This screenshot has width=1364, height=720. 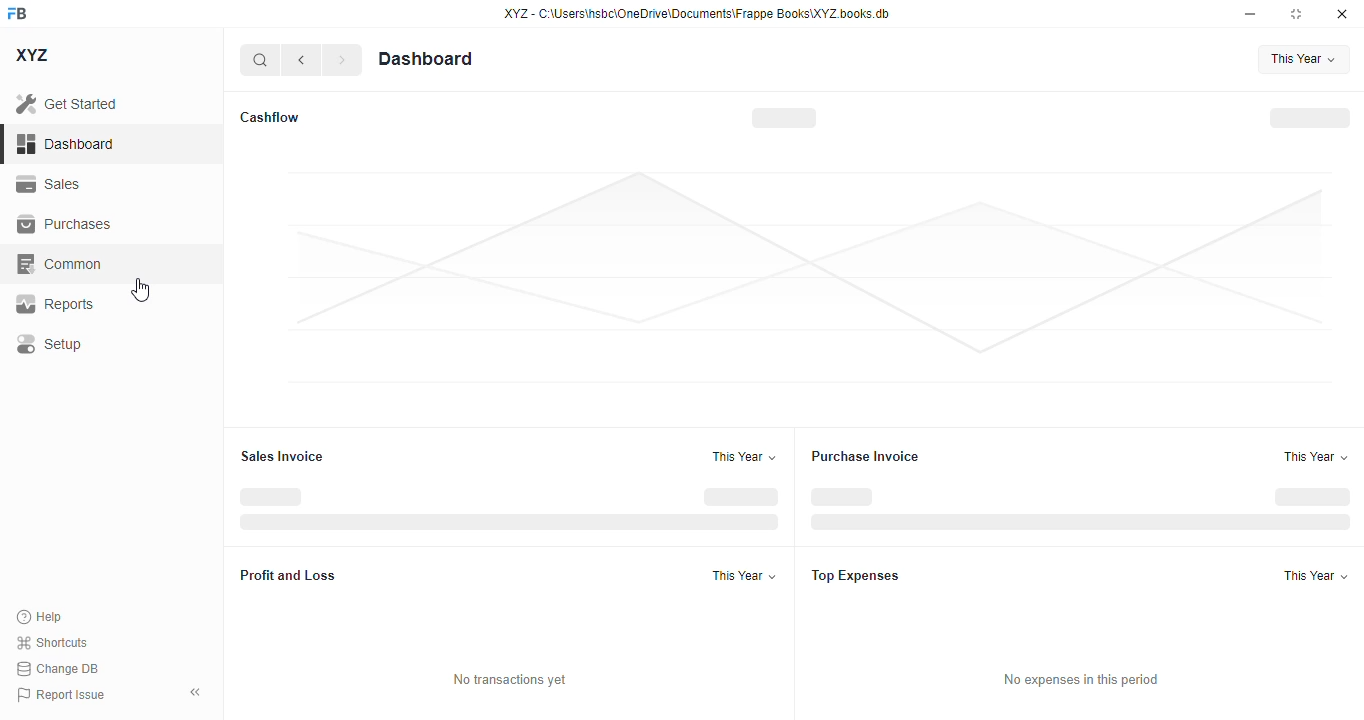 What do you see at coordinates (288, 576) in the screenshot?
I see `profit and loss` at bounding box center [288, 576].